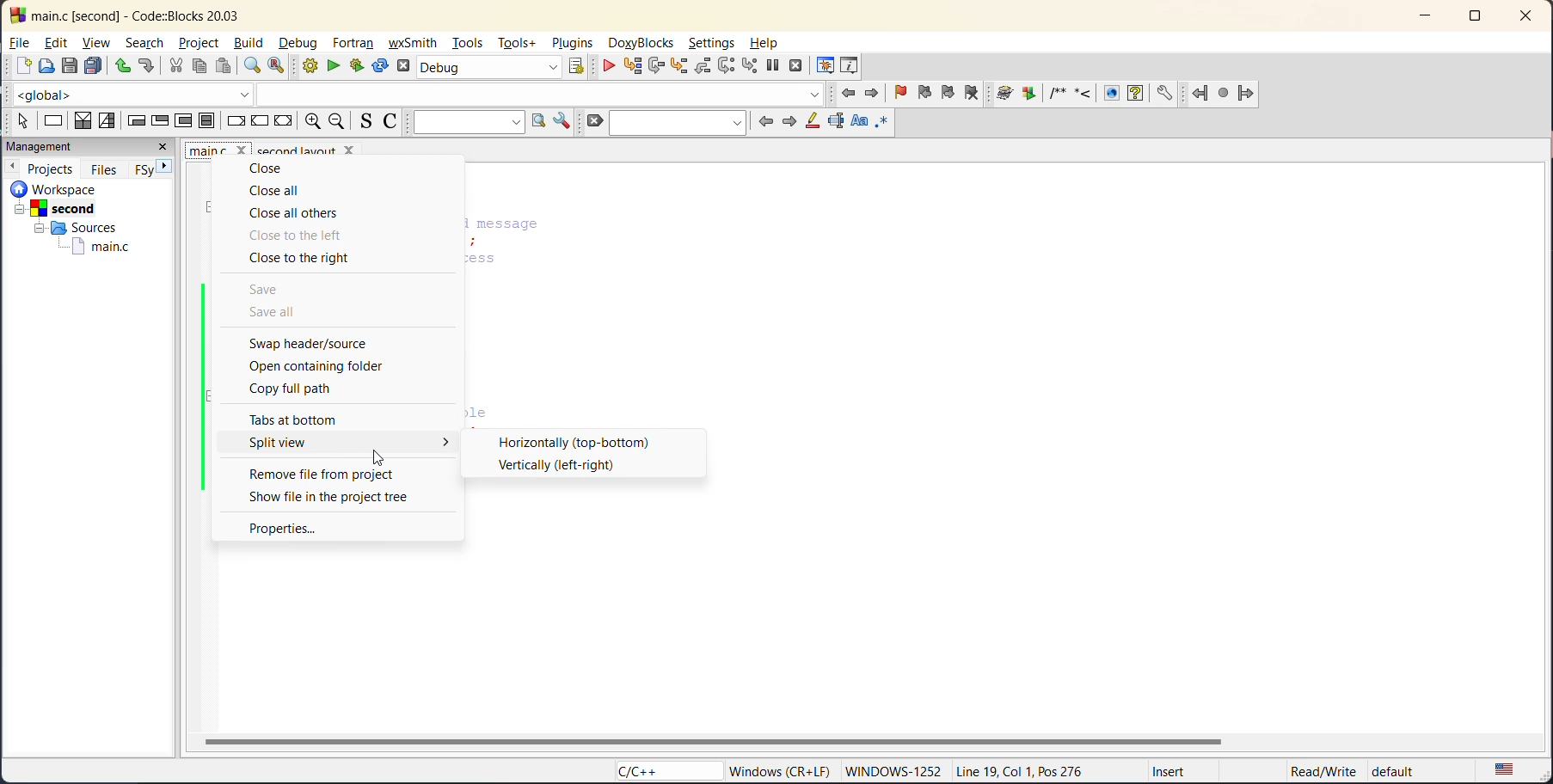  I want to click on next instruction, so click(725, 66).